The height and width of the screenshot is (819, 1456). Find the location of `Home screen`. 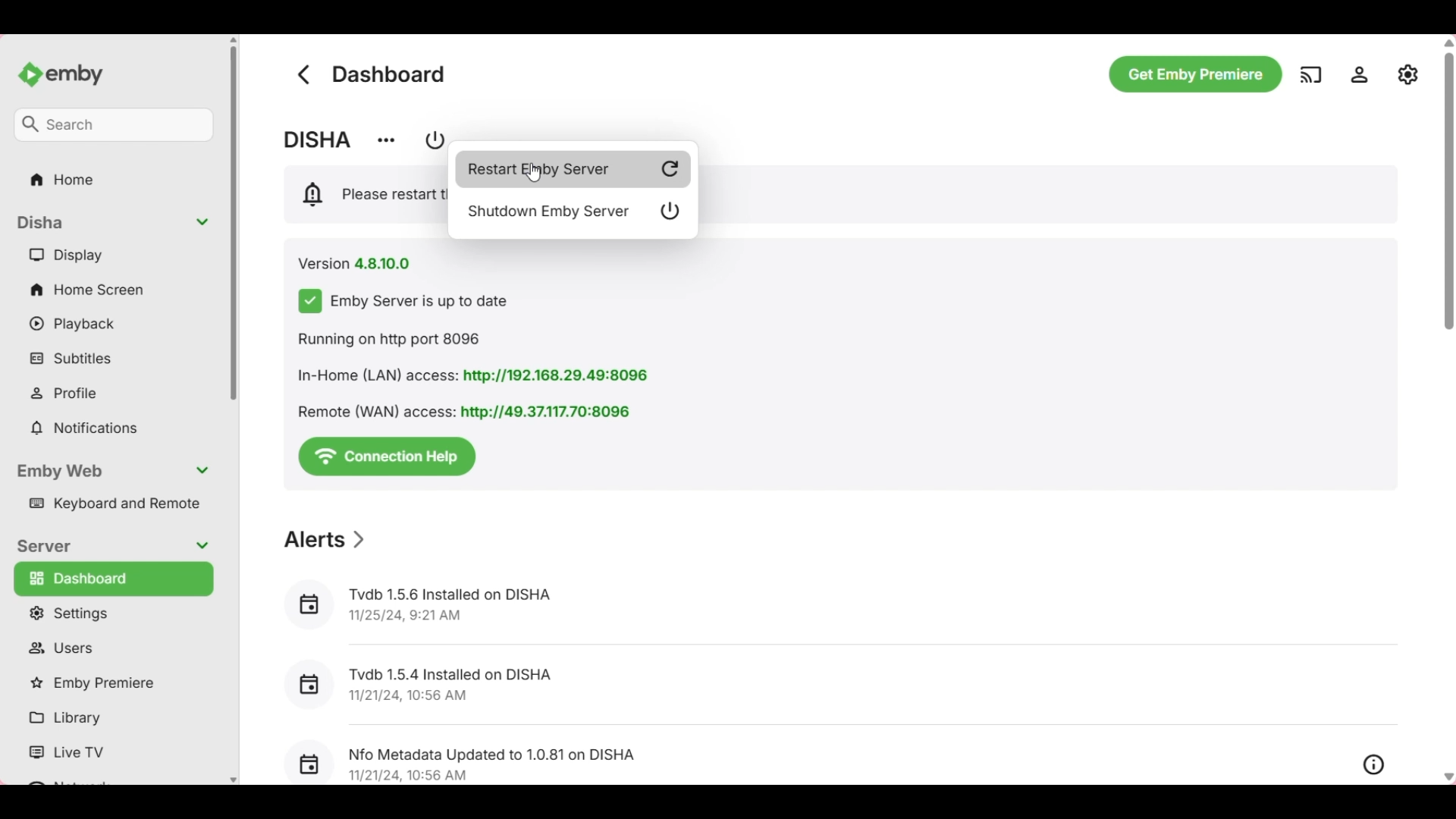

Home screen is located at coordinates (114, 289).